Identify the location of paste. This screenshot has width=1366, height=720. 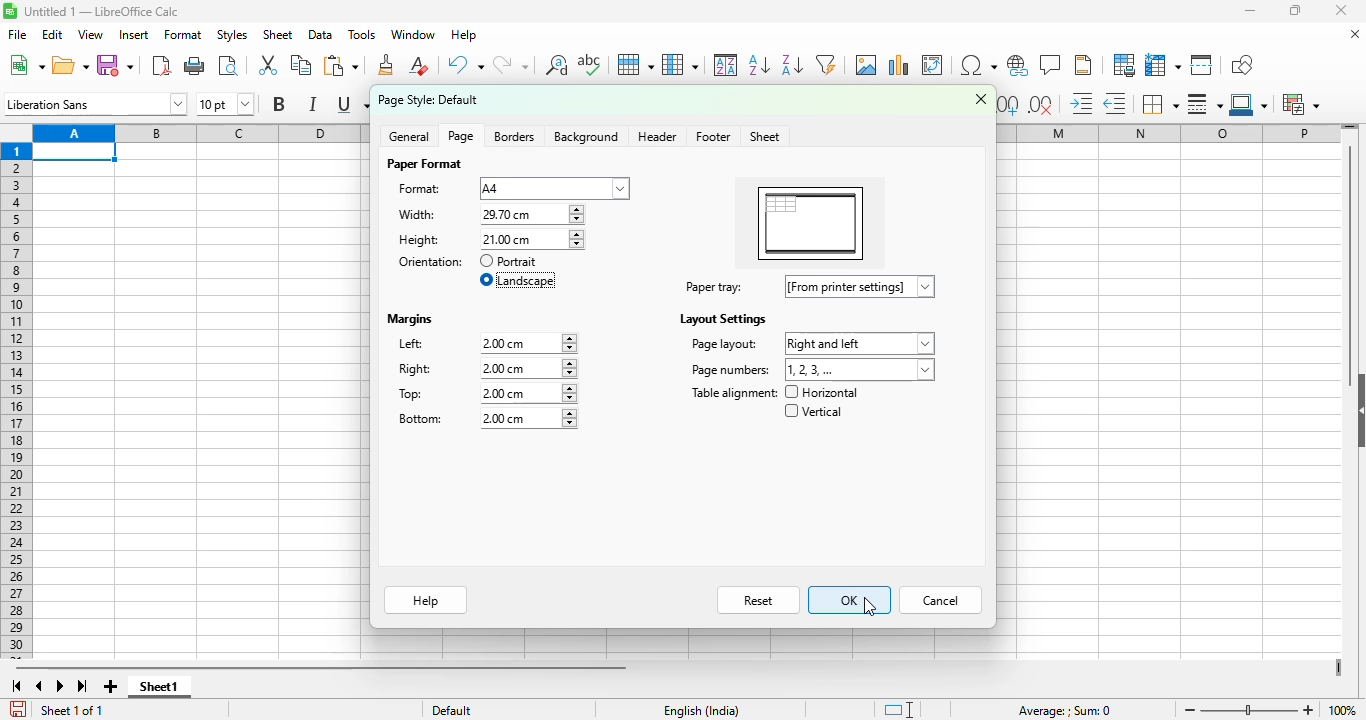
(341, 65).